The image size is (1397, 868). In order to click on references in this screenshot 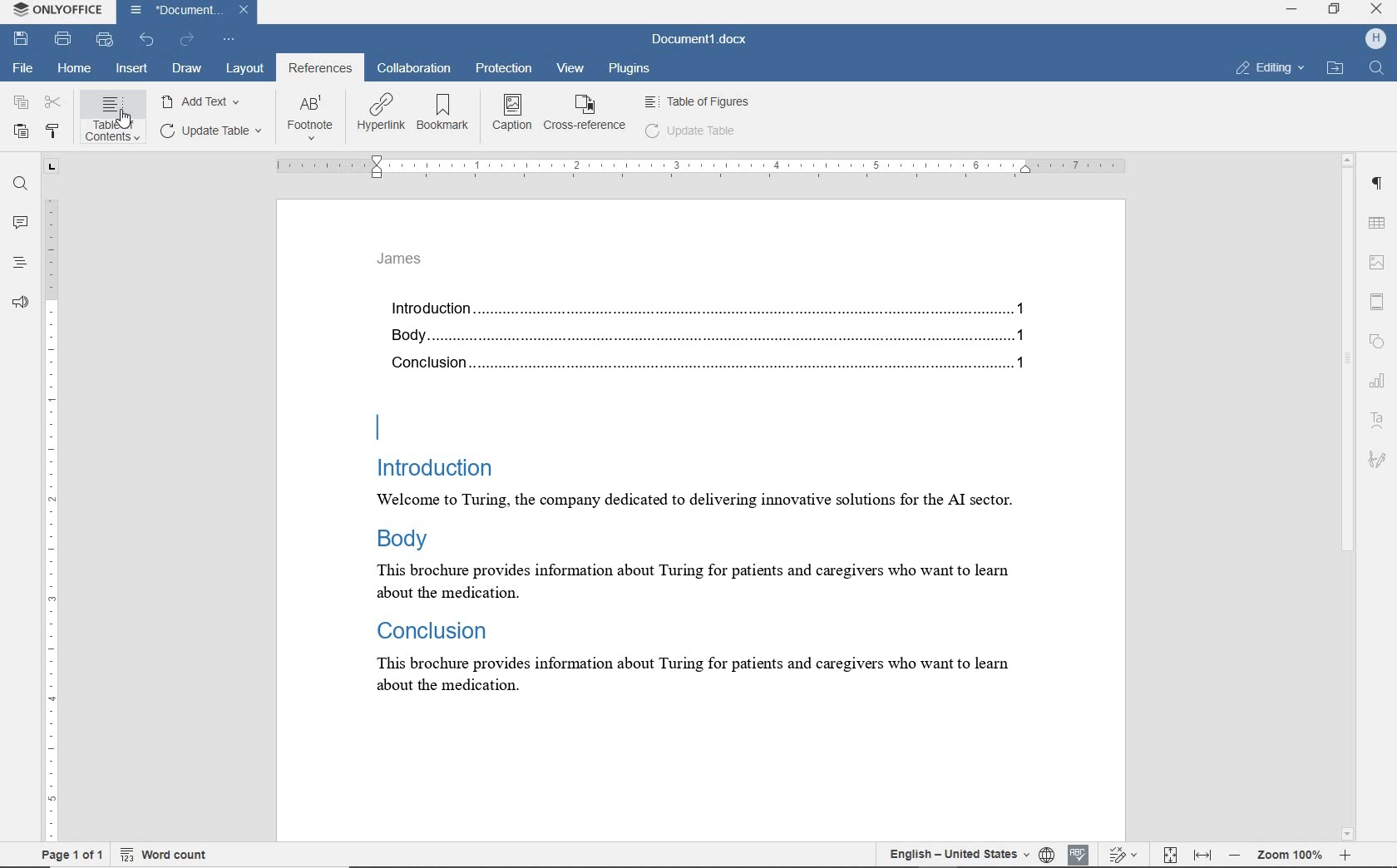, I will do `click(321, 68)`.